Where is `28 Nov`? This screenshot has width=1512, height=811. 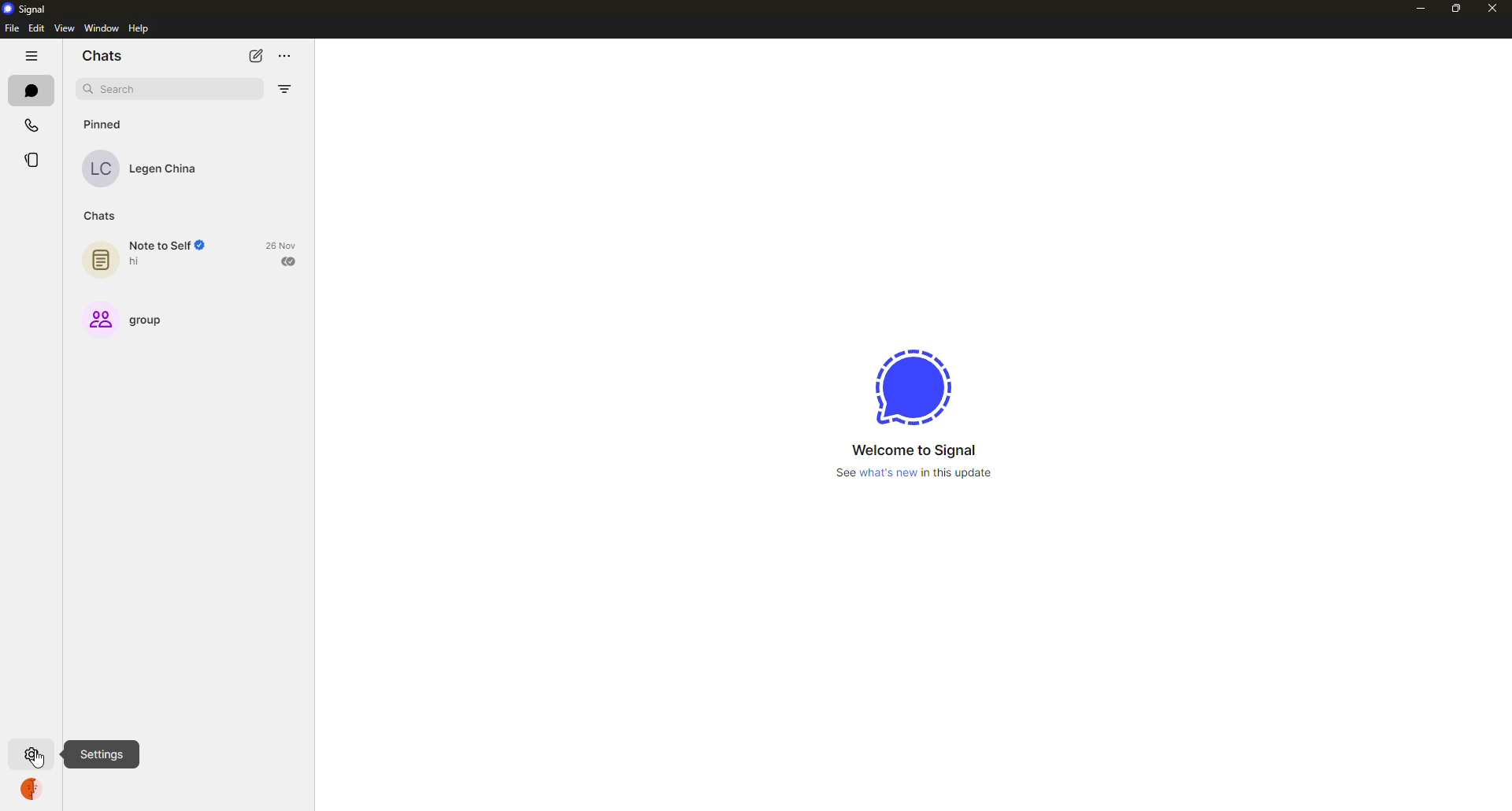 28 Nov is located at coordinates (282, 245).